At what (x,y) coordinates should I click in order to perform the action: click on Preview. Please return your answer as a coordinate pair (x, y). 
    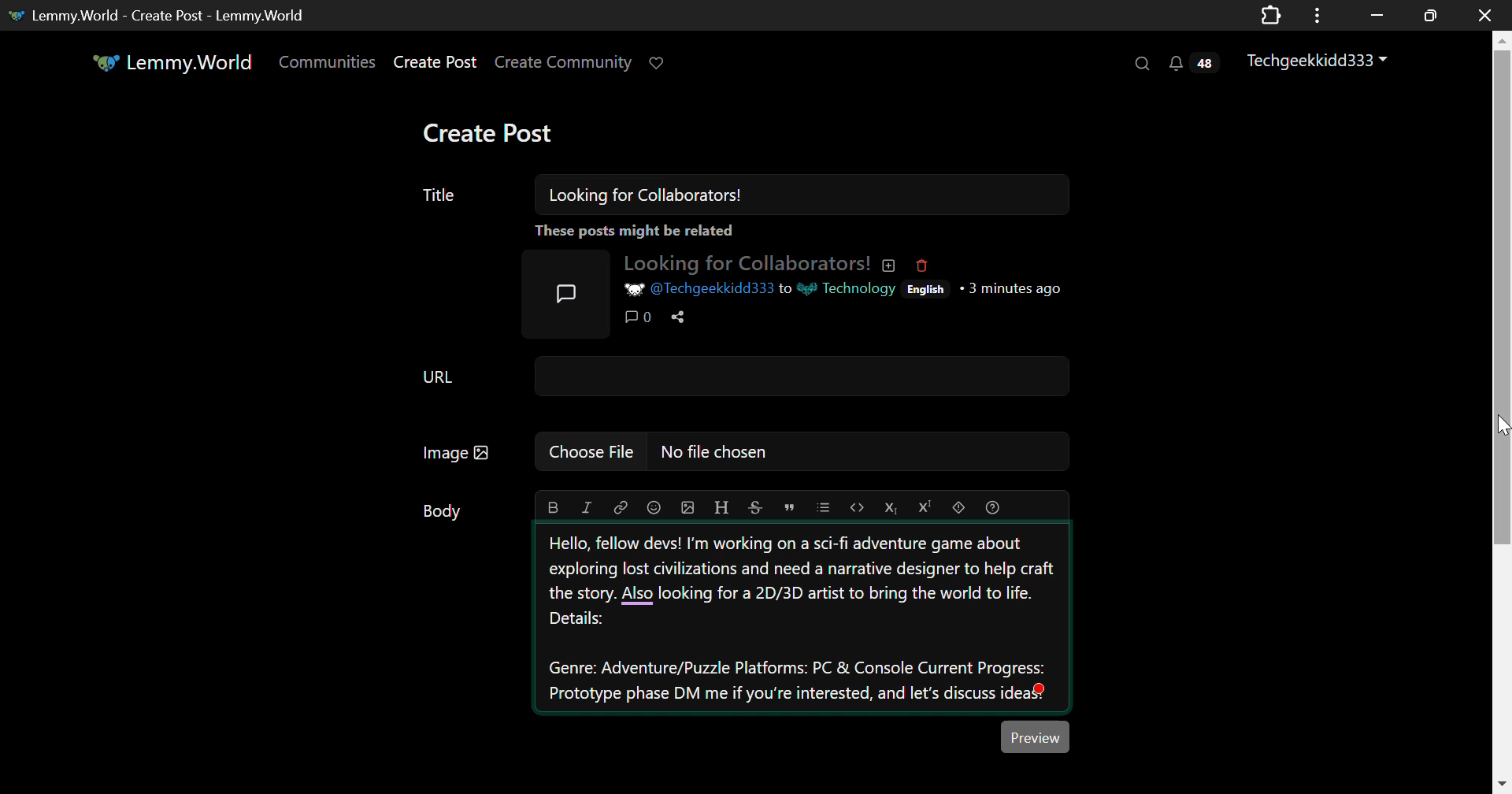
    Looking at the image, I should click on (1034, 738).